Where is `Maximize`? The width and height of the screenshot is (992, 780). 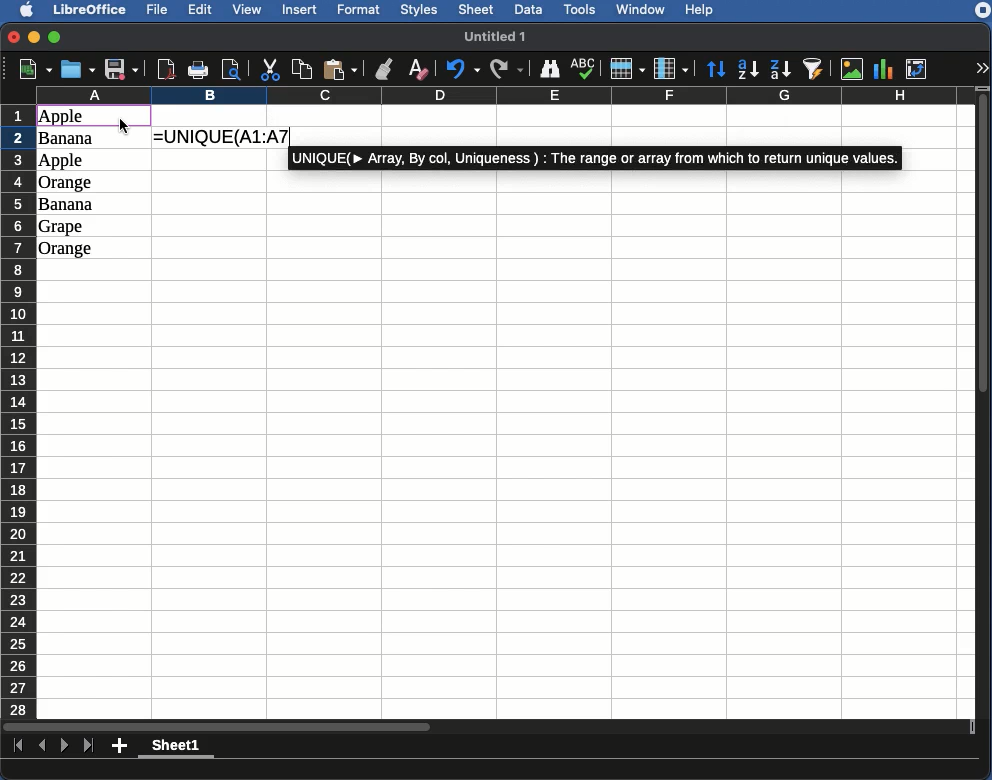 Maximize is located at coordinates (55, 36).